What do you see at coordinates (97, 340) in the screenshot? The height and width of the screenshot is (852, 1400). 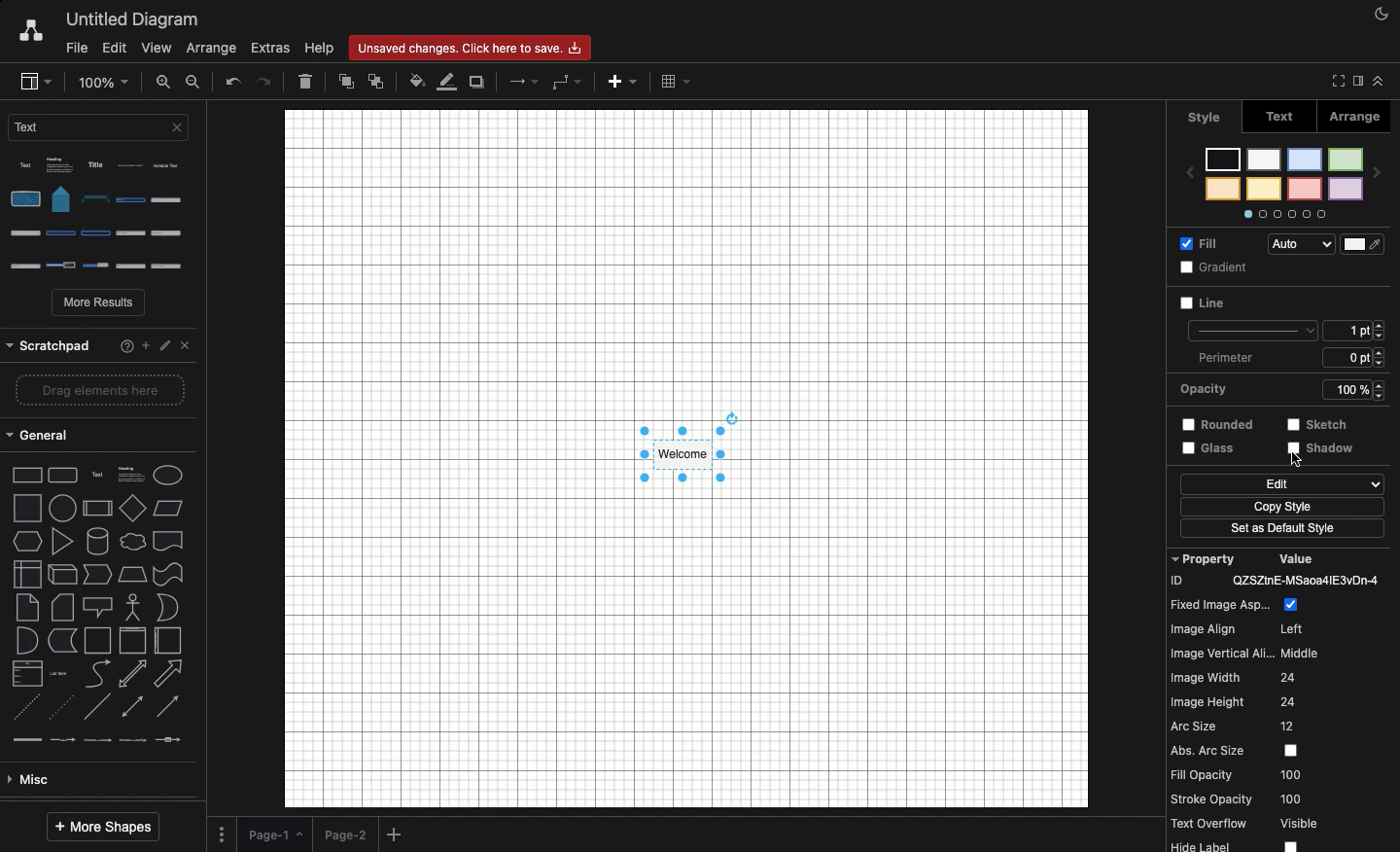 I see `` at bounding box center [97, 340].